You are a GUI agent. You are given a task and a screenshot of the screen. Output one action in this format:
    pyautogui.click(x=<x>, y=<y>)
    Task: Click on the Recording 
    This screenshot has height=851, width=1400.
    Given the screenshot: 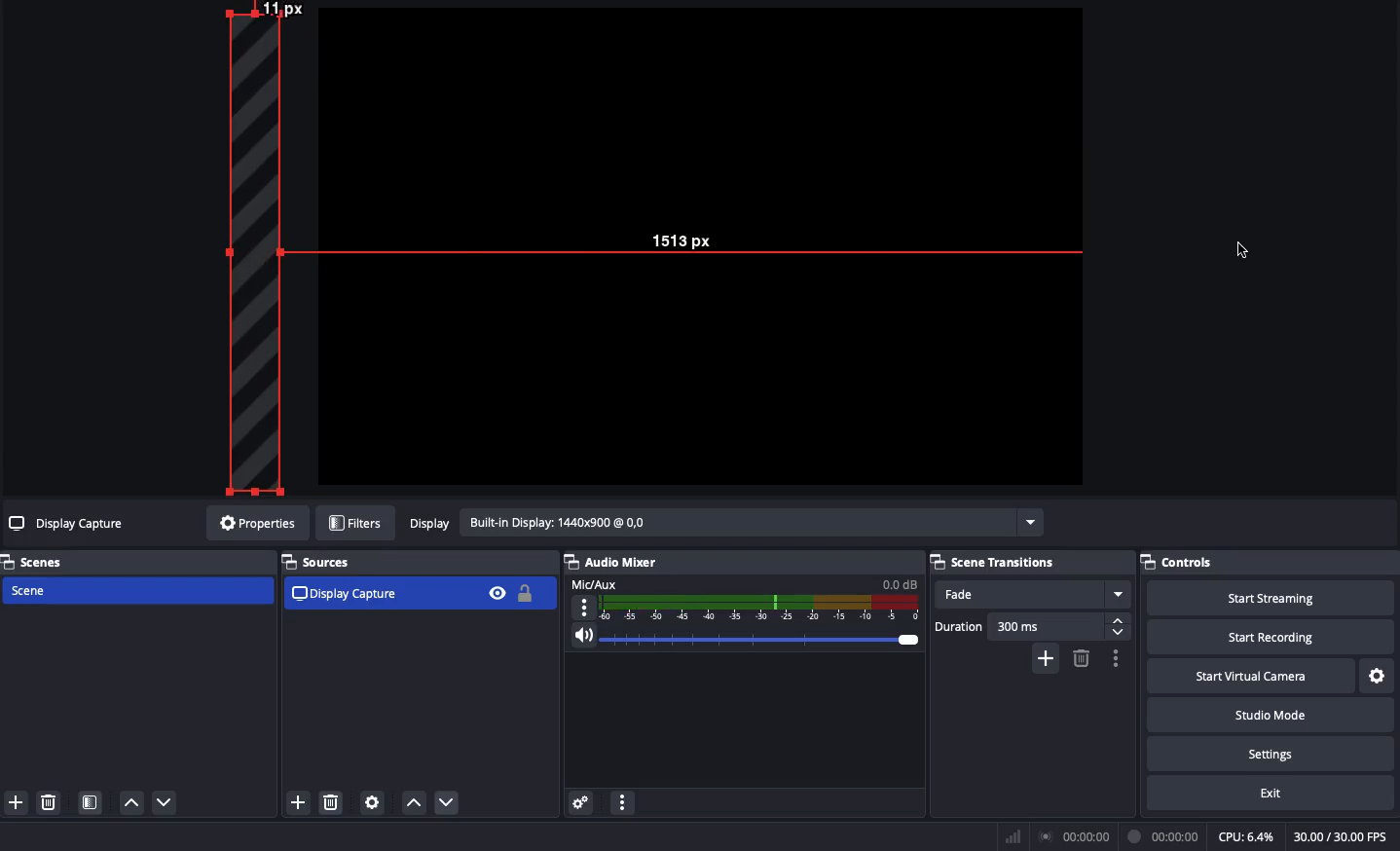 What is the action you would take?
    pyautogui.click(x=1164, y=836)
    